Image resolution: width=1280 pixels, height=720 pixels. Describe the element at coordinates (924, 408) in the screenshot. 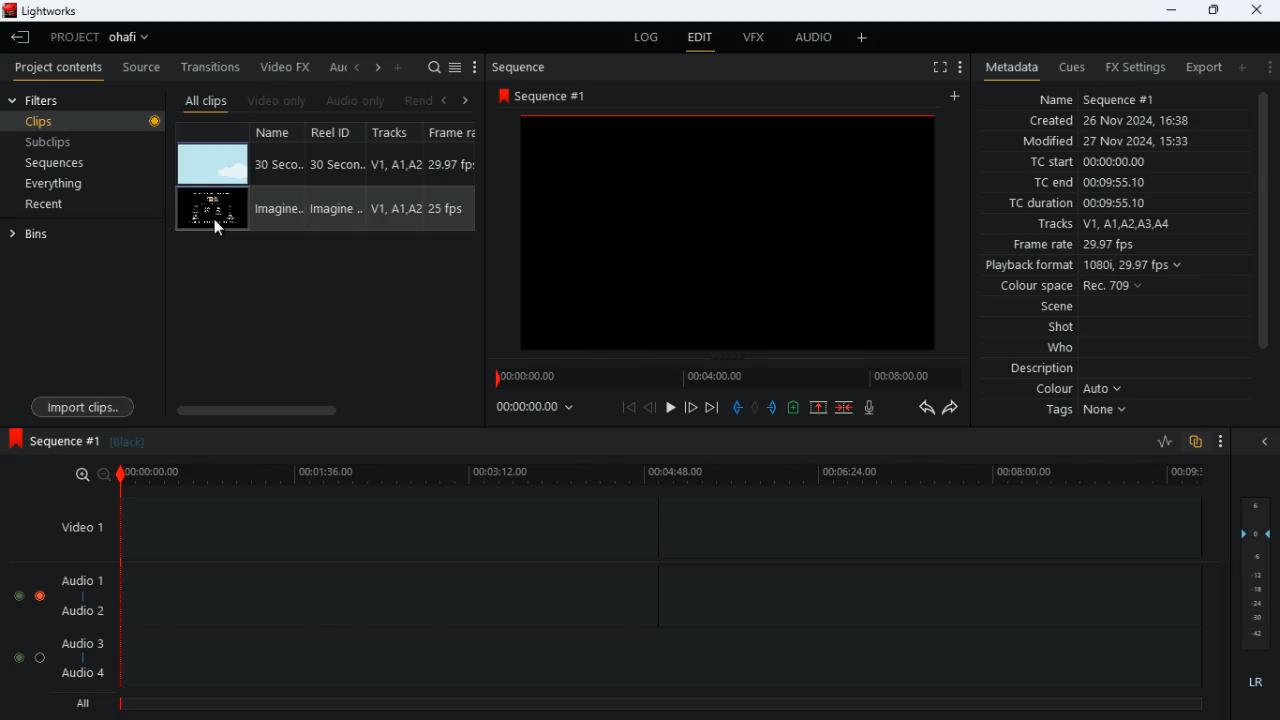

I see `backwards` at that location.